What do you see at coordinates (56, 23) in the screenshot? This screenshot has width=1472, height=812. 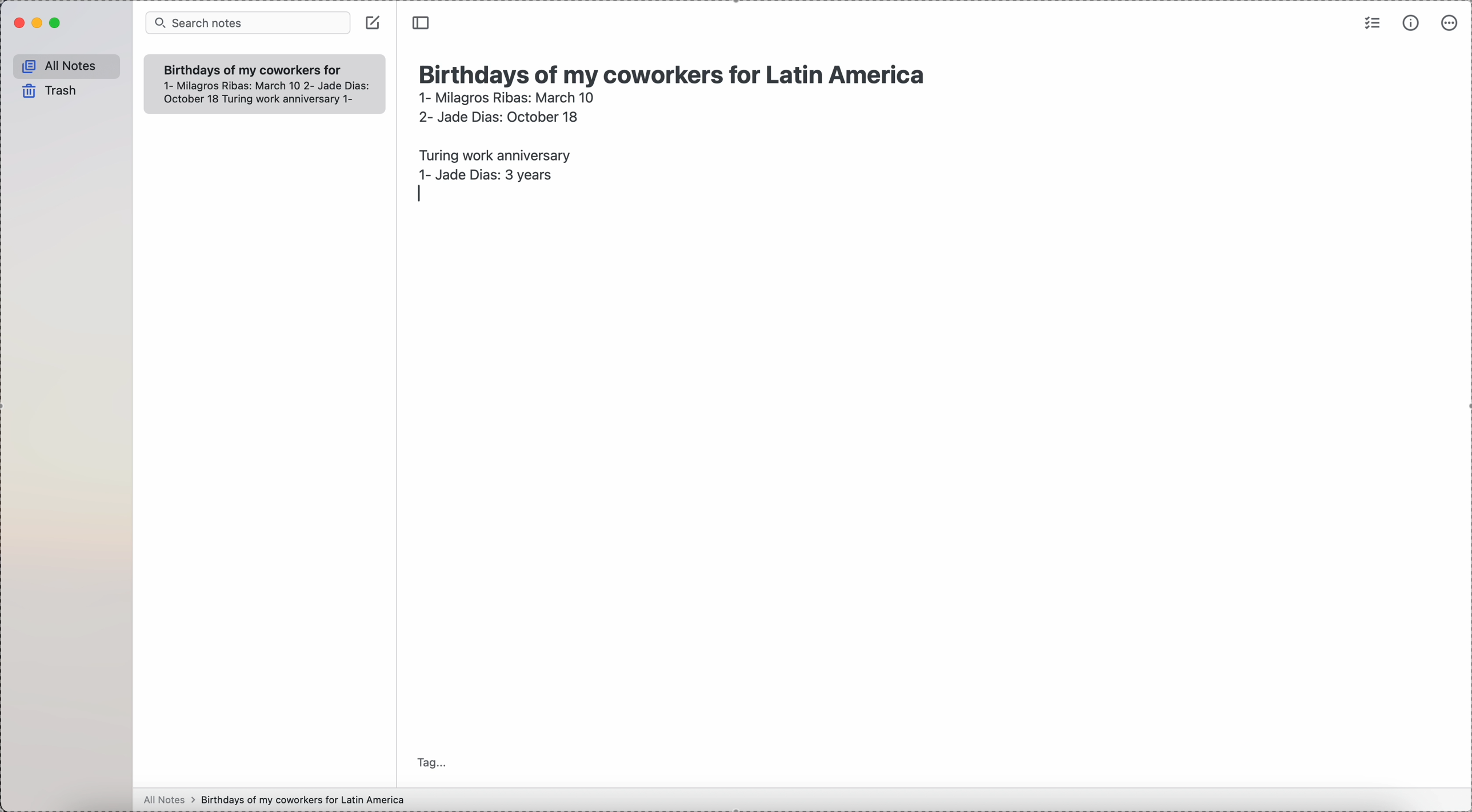 I see `maximize Simplenote` at bounding box center [56, 23].